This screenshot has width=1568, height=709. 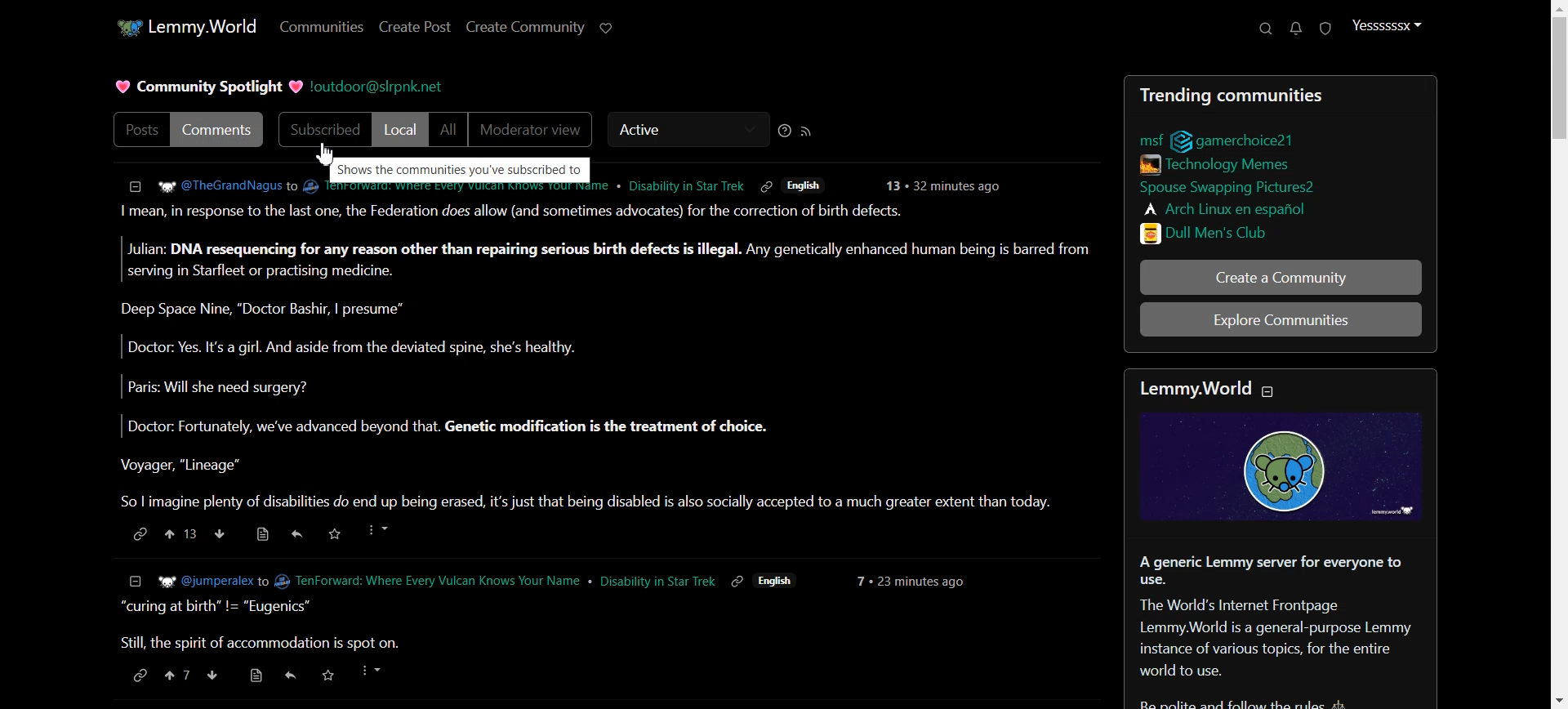 What do you see at coordinates (208, 88) in the screenshot?
I see `Text` at bounding box center [208, 88].